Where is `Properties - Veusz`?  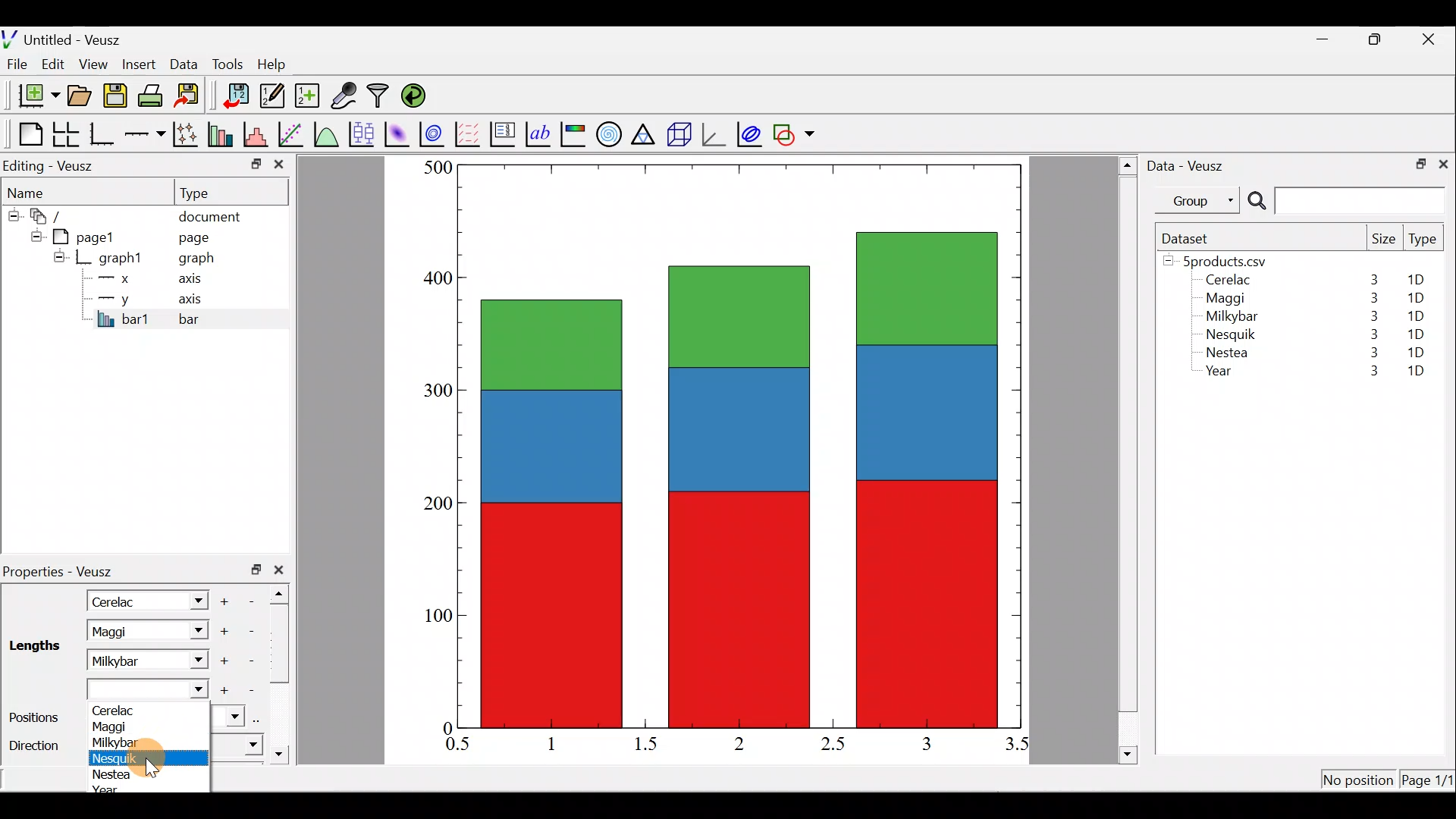 Properties - Veusz is located at coordinates (64, 572).